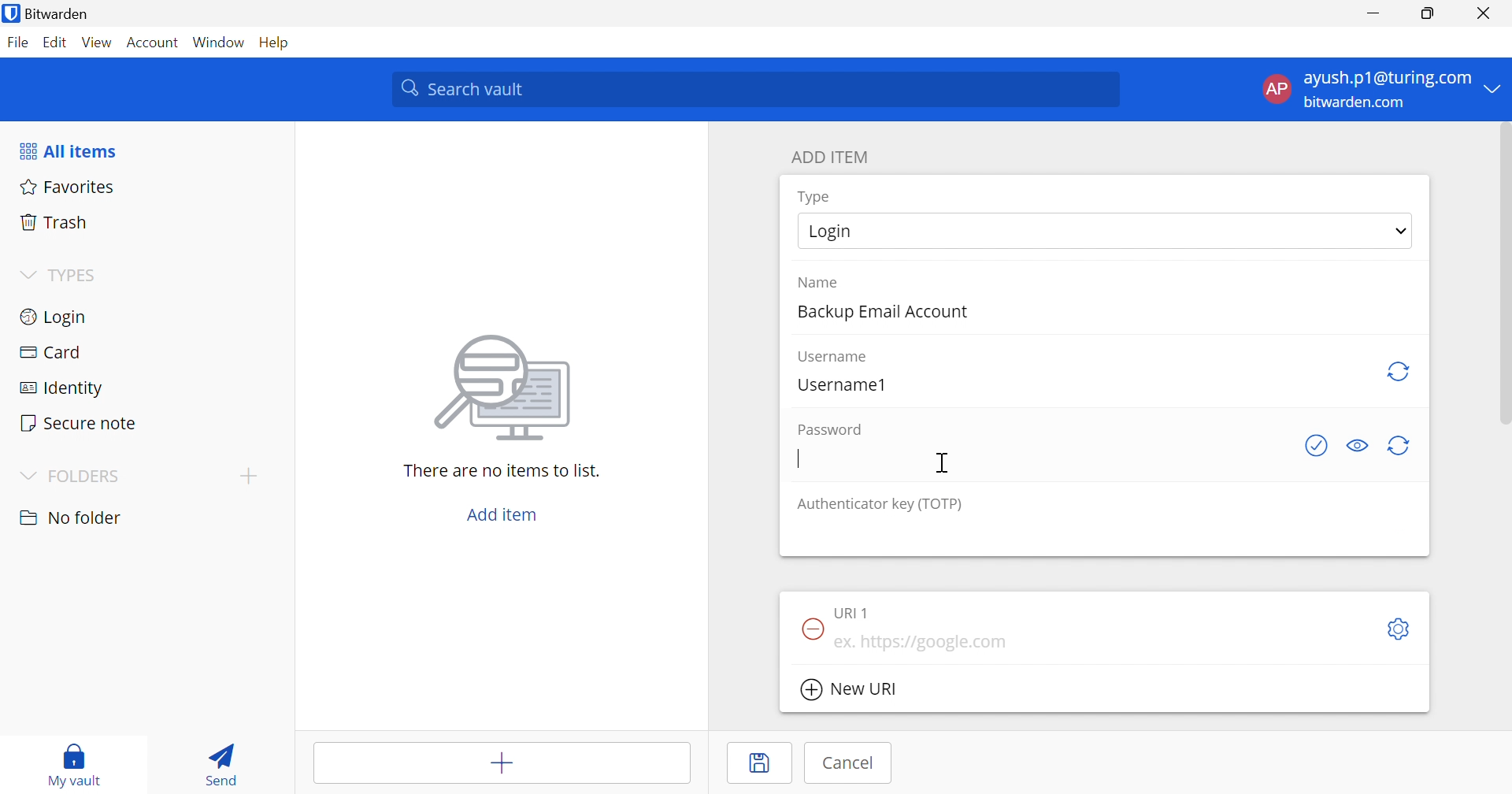 This screenshot has height=794, width=1512. What do you see at coordinates (842, 384) in the screenshot?
I see `Username1` at bounding box center [842, 384].